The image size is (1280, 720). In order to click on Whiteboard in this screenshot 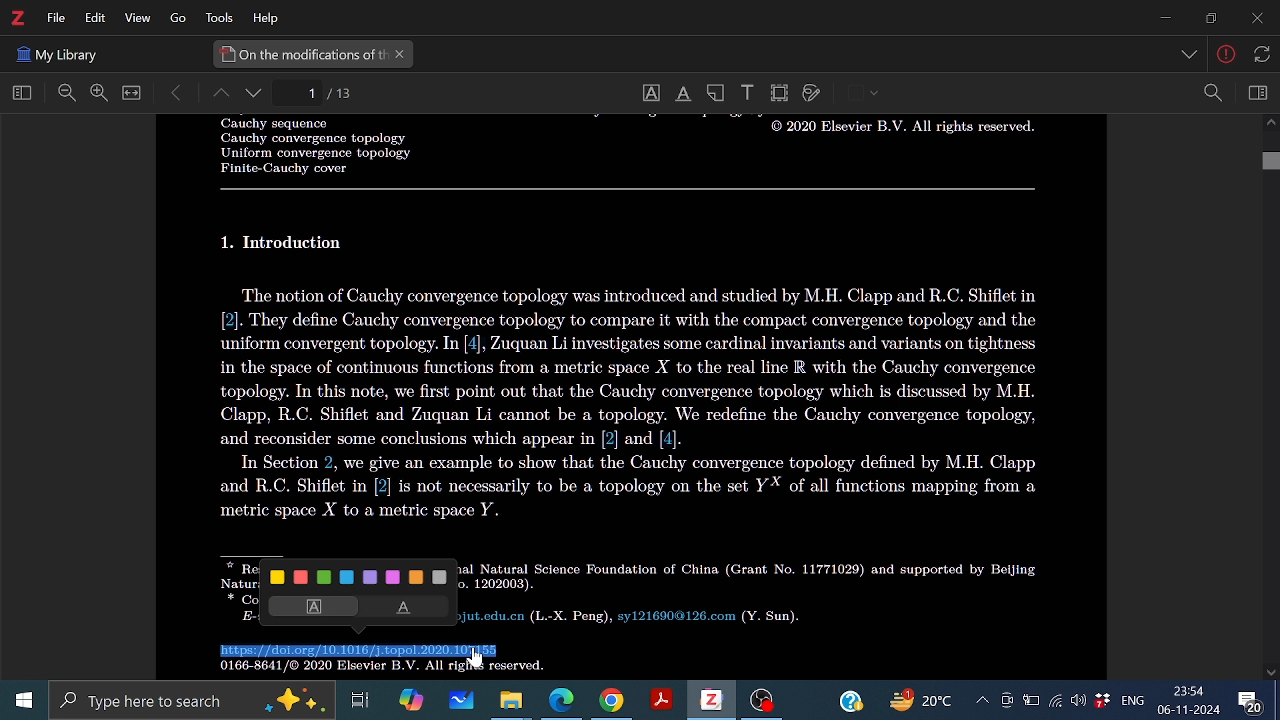, I will do `click(459, 701)`.